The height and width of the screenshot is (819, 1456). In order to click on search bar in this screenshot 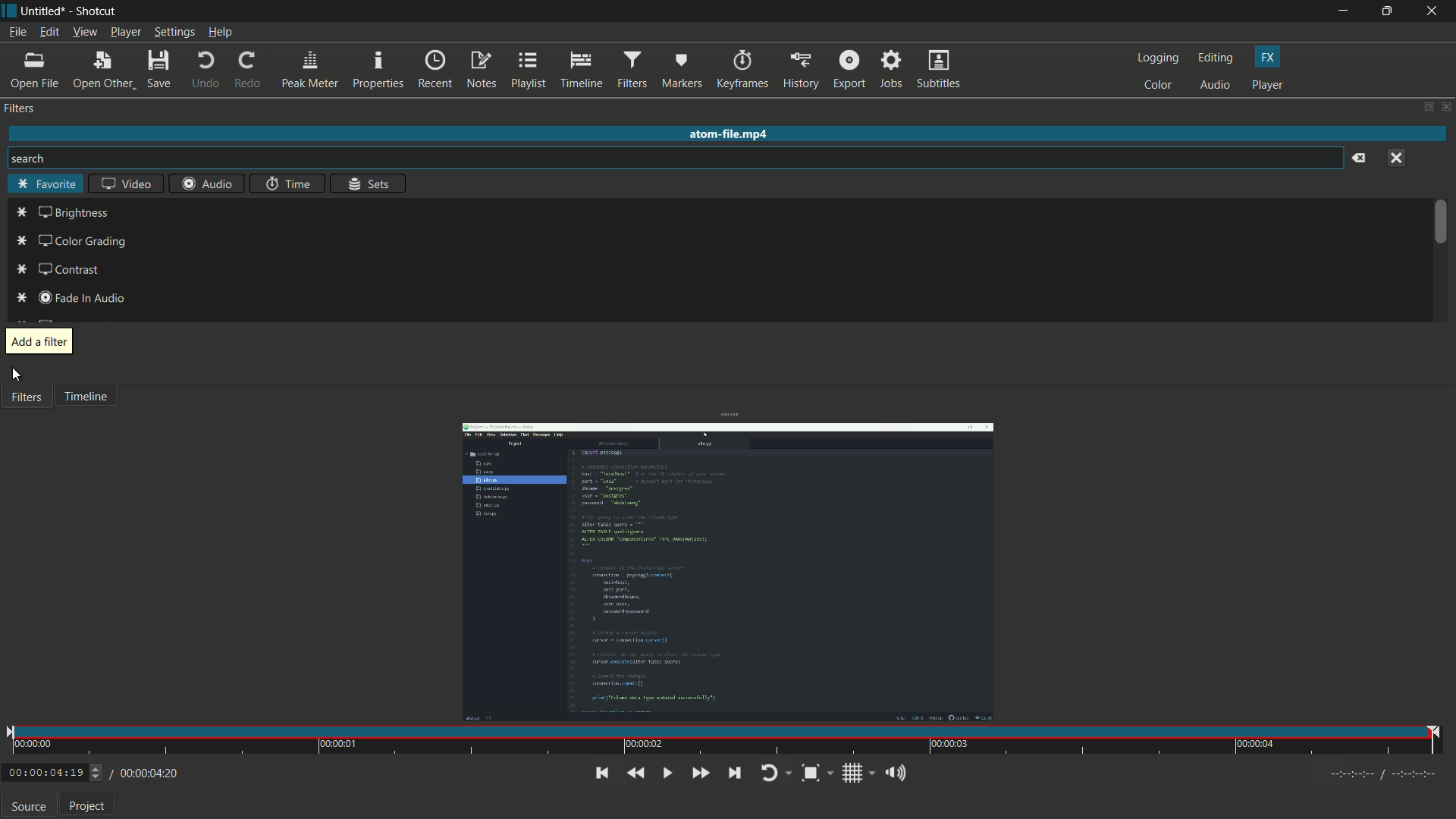, I will do `click(677, 158)`.